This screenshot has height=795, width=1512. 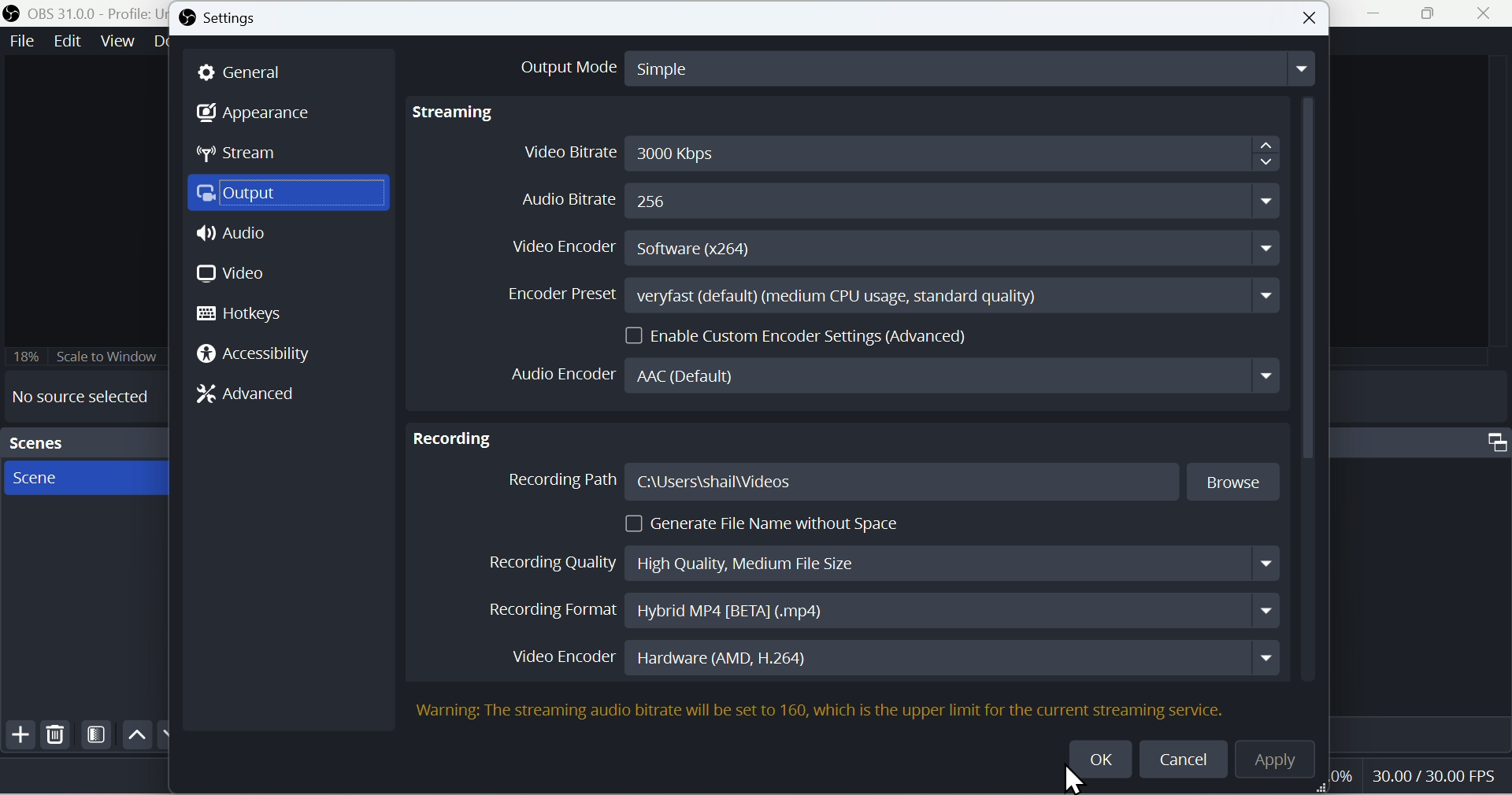 I want to click on Video Encoder, so click(x=899, y=656).